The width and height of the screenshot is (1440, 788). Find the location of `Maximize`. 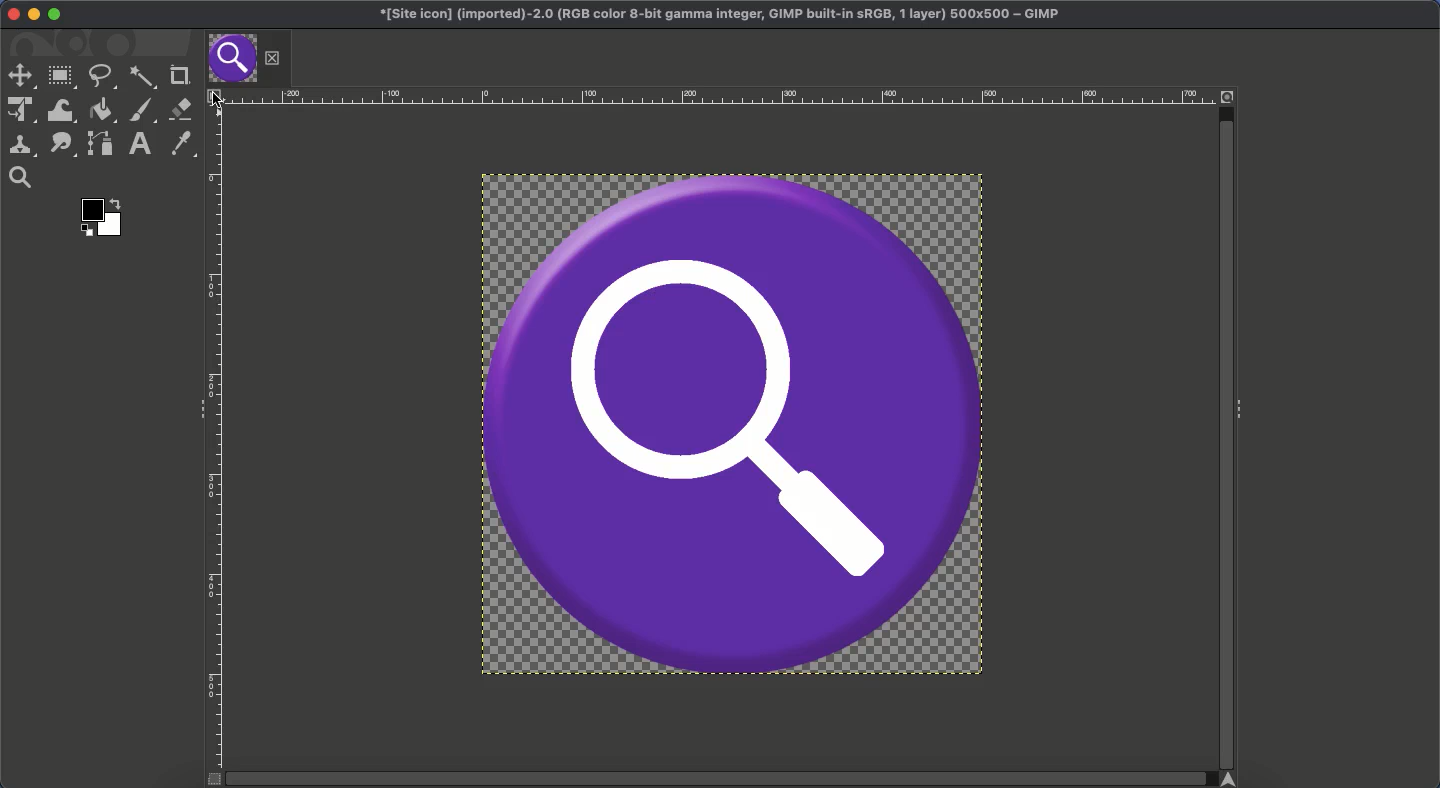

Maximize is located at coordinates (58, 15).